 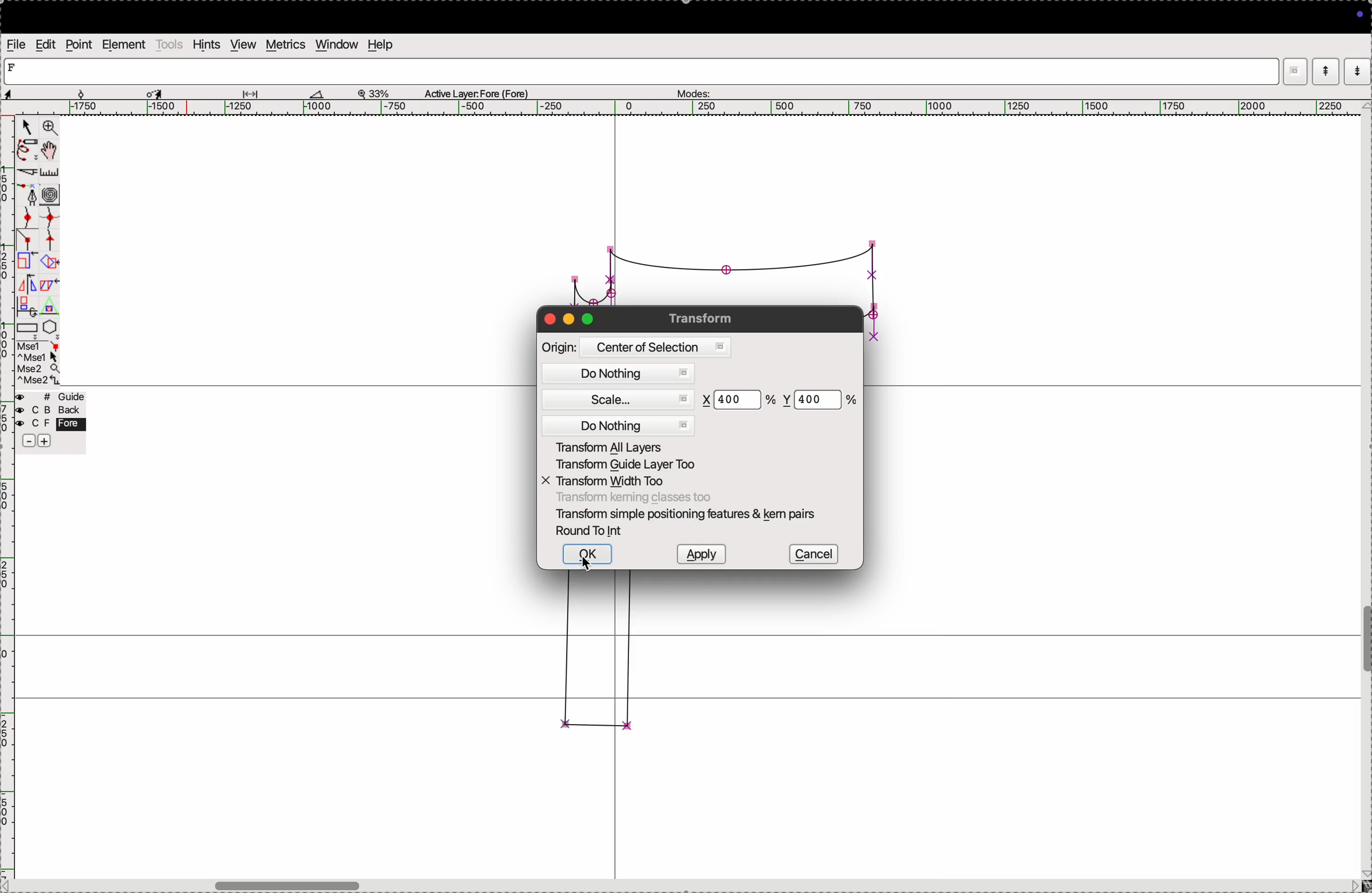 What do you see at coordinates (50, 129) in the screenshot?
I see `zoom` at bounding box center [50, 129].